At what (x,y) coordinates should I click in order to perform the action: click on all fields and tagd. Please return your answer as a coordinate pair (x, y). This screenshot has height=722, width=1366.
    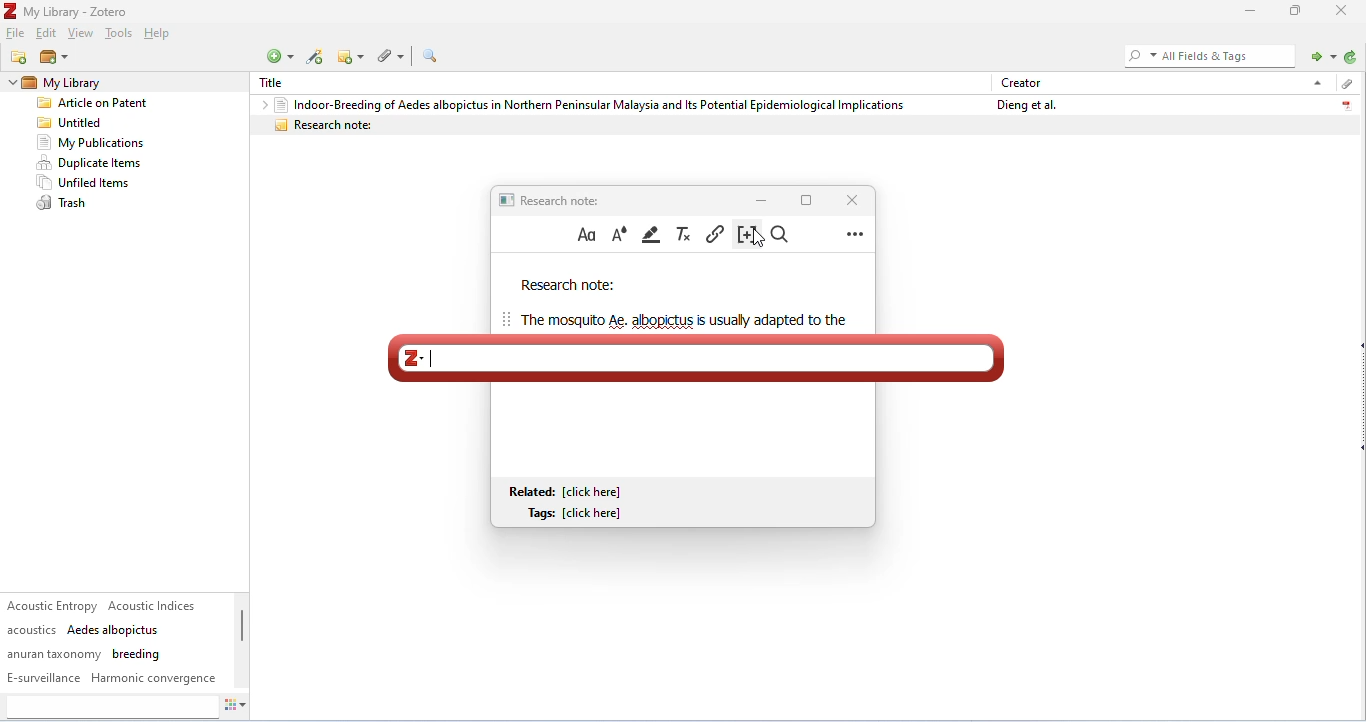
    Looking at the image, I should click on (1207, 55).